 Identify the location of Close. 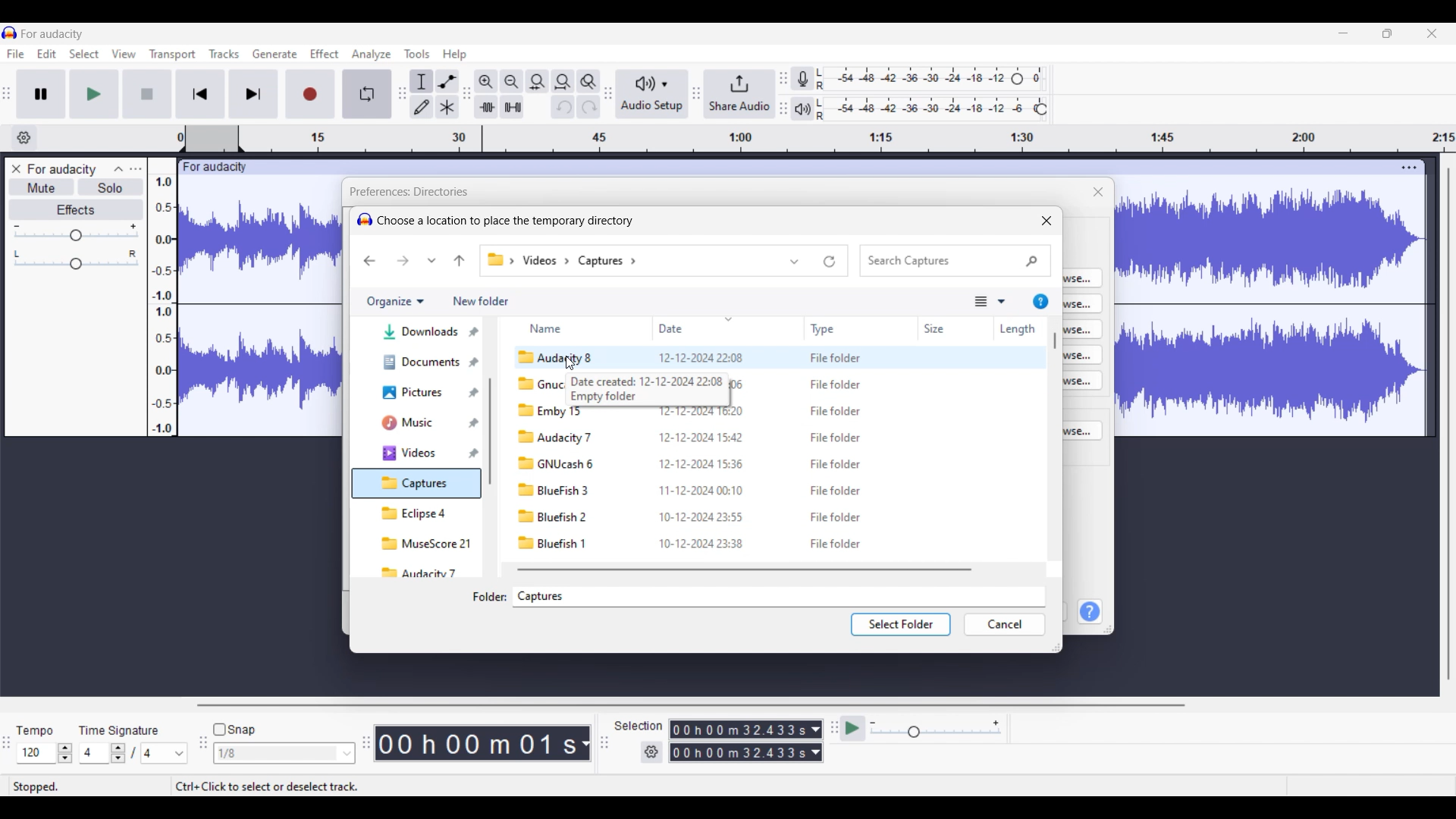
(1047, 221).